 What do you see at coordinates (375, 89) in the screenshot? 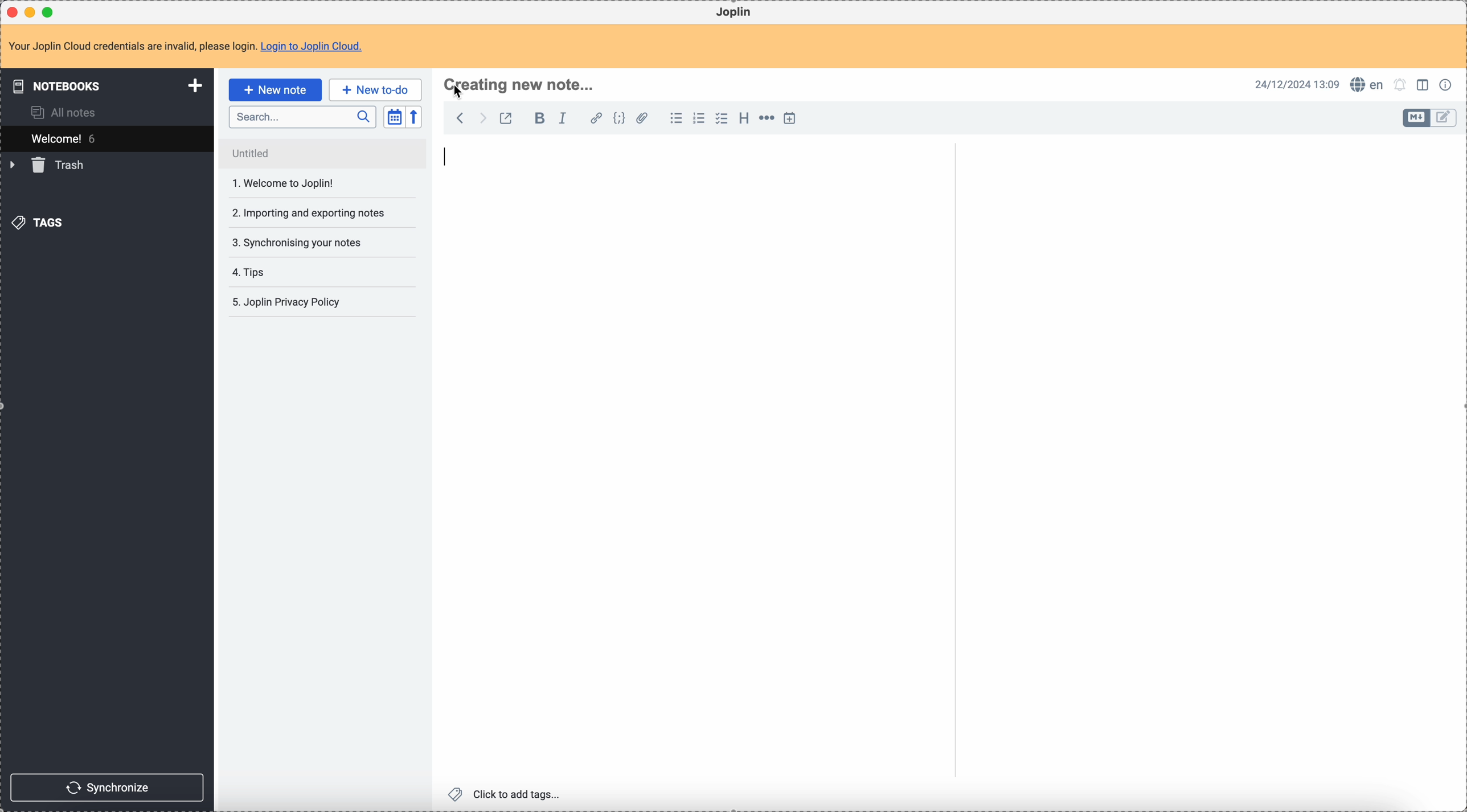
I see `new to-do` at bounding box center [375, 89].